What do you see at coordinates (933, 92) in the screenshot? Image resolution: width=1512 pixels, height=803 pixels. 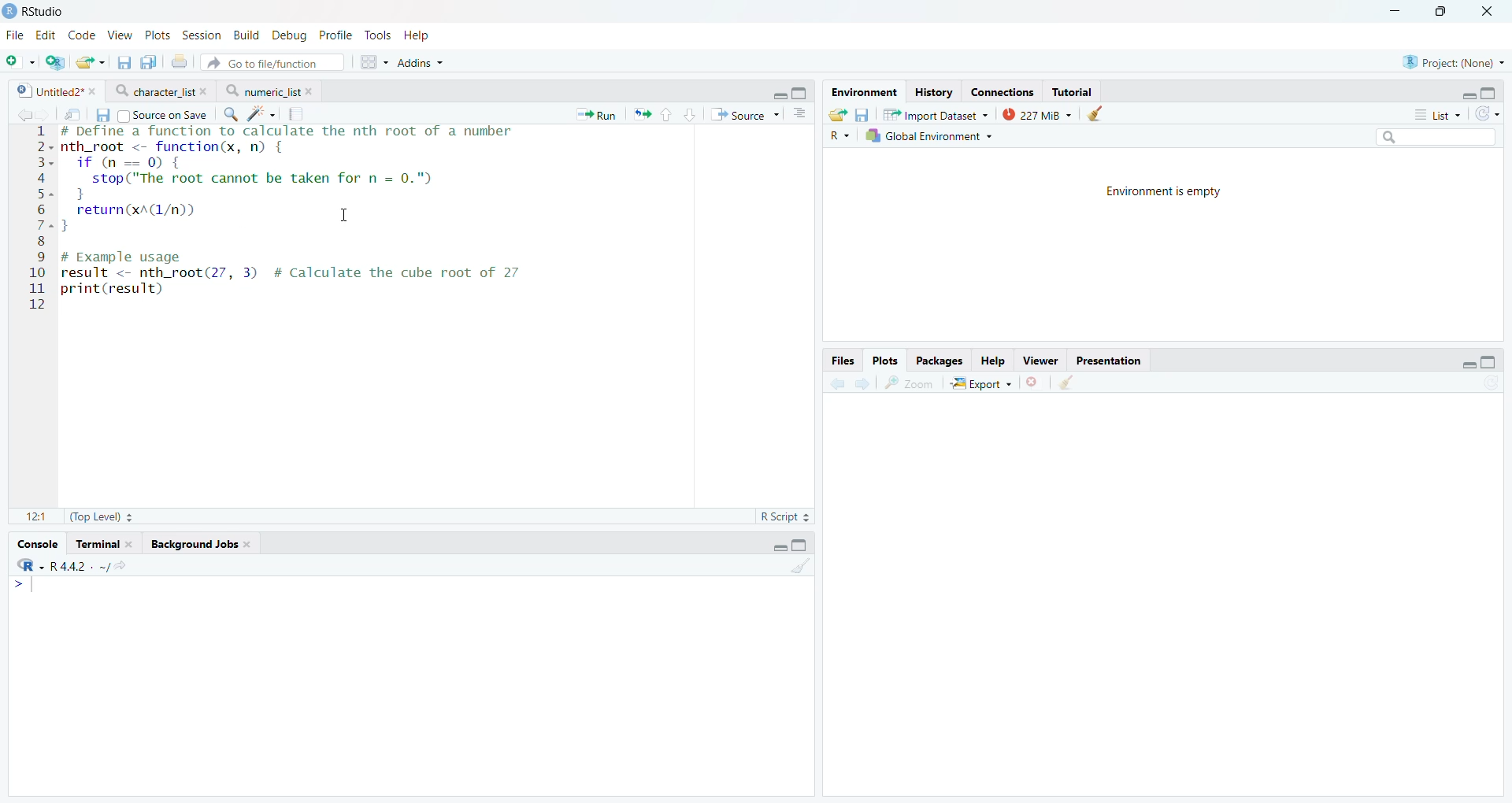 I see `History` at bounding box center [933, 92].